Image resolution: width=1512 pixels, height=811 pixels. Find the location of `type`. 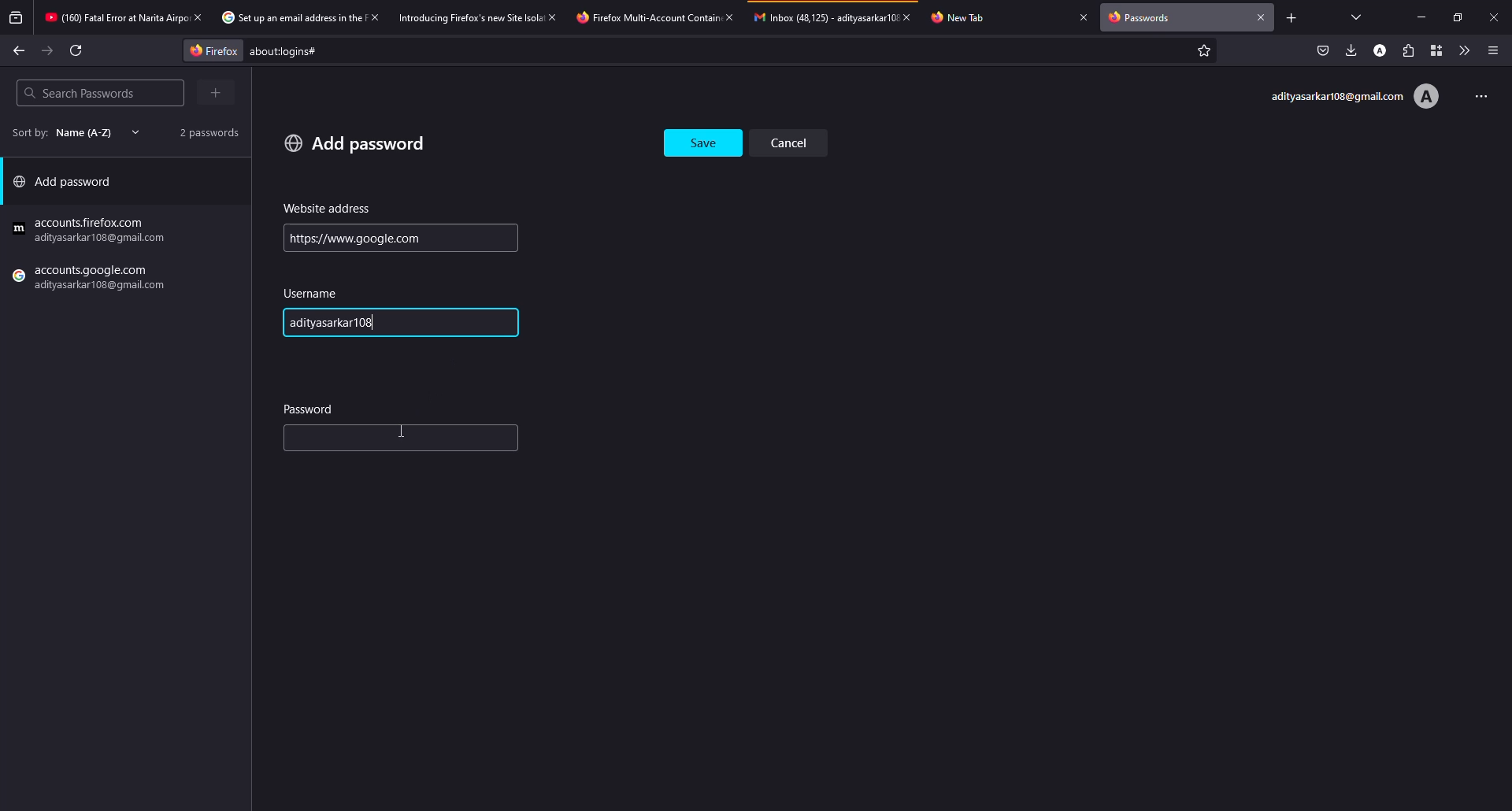

type is located at coordinates (367, 441).